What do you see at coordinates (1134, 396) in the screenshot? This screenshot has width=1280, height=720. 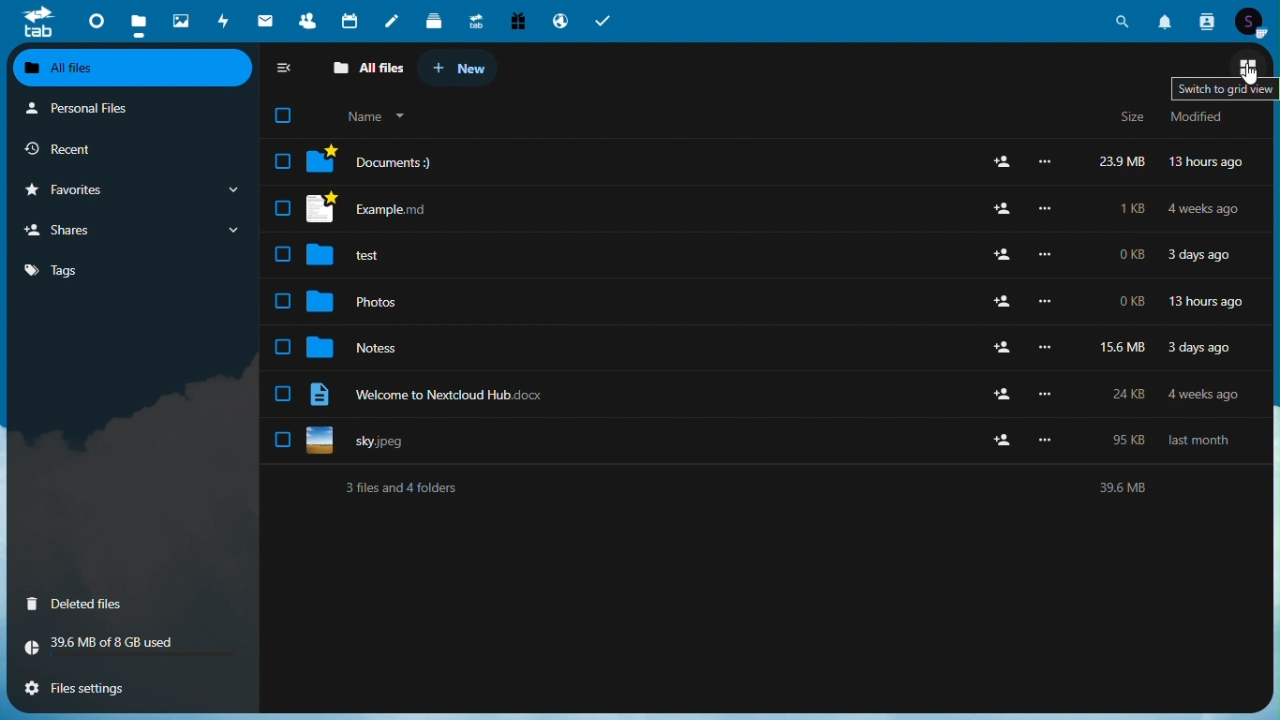 I see `24kb` at bounding box center [1134, 396].